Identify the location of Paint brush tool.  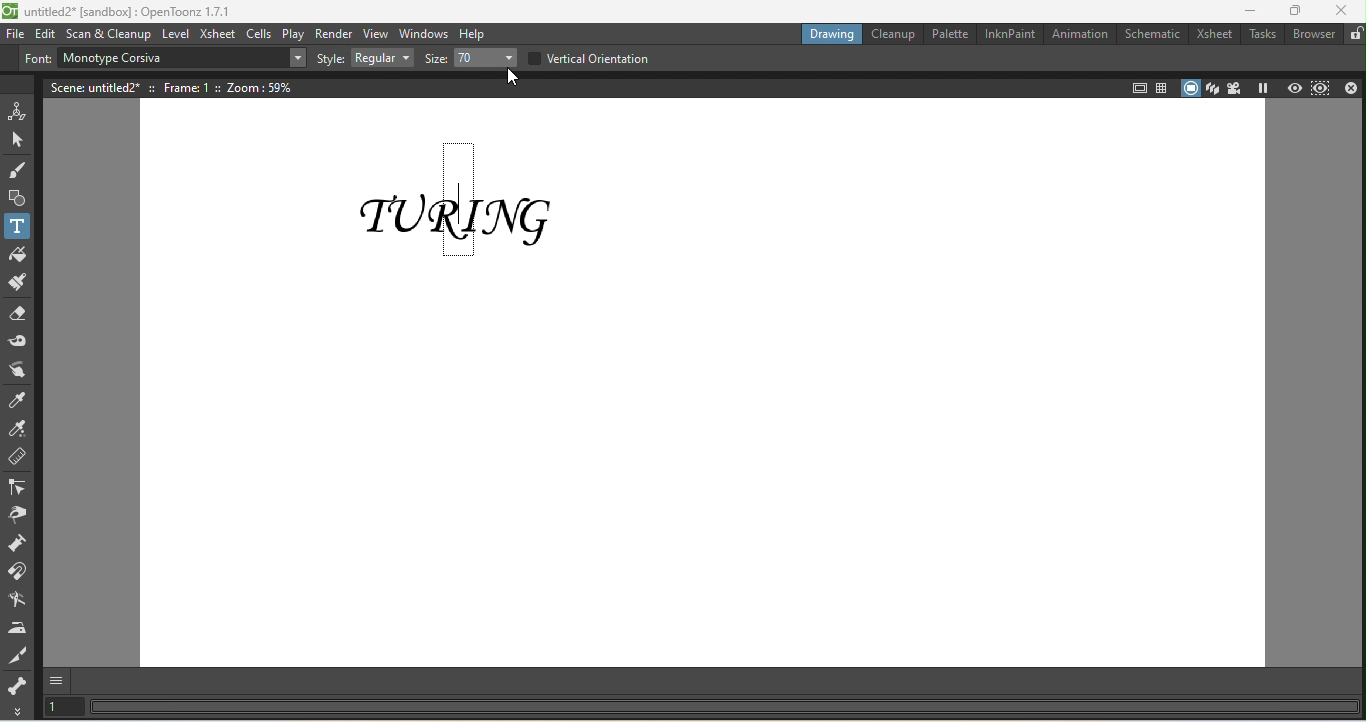
(17, 281).